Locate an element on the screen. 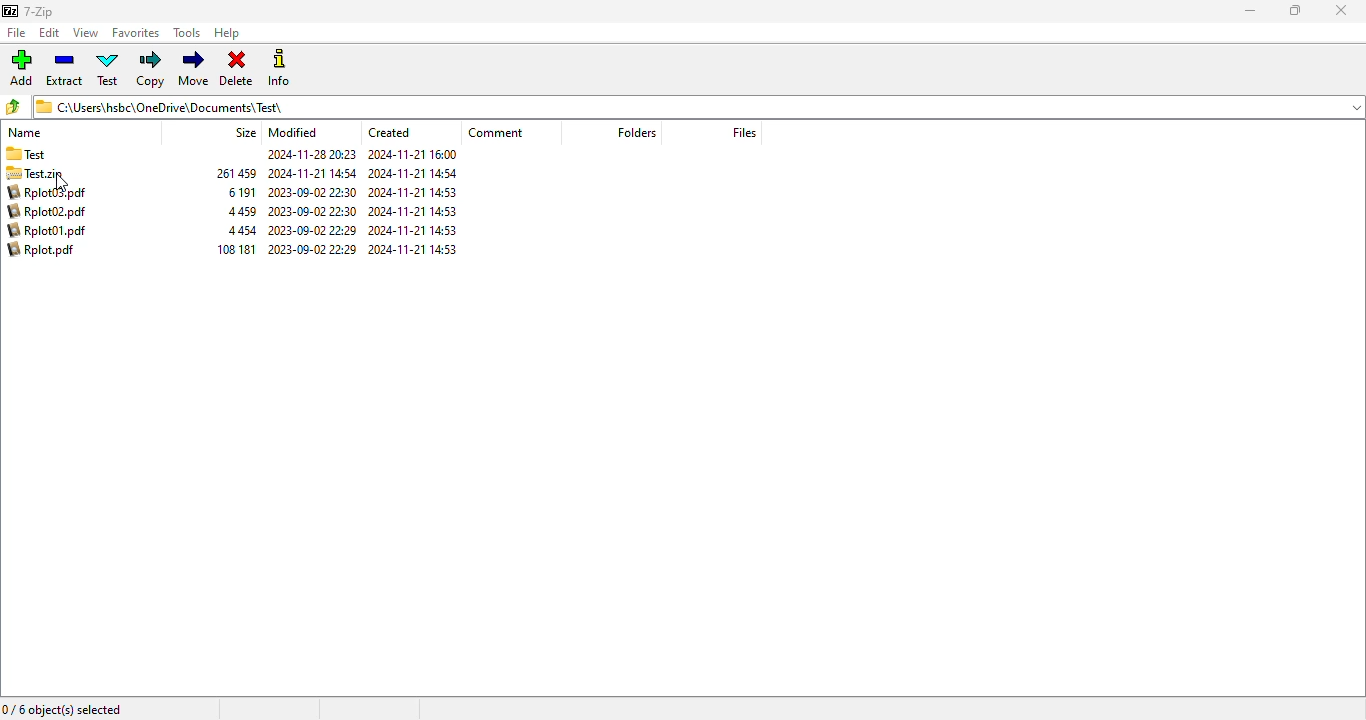 The height and width of the screenshot is (720, 1366). 7-Zip is located at coordinates (28, 12).